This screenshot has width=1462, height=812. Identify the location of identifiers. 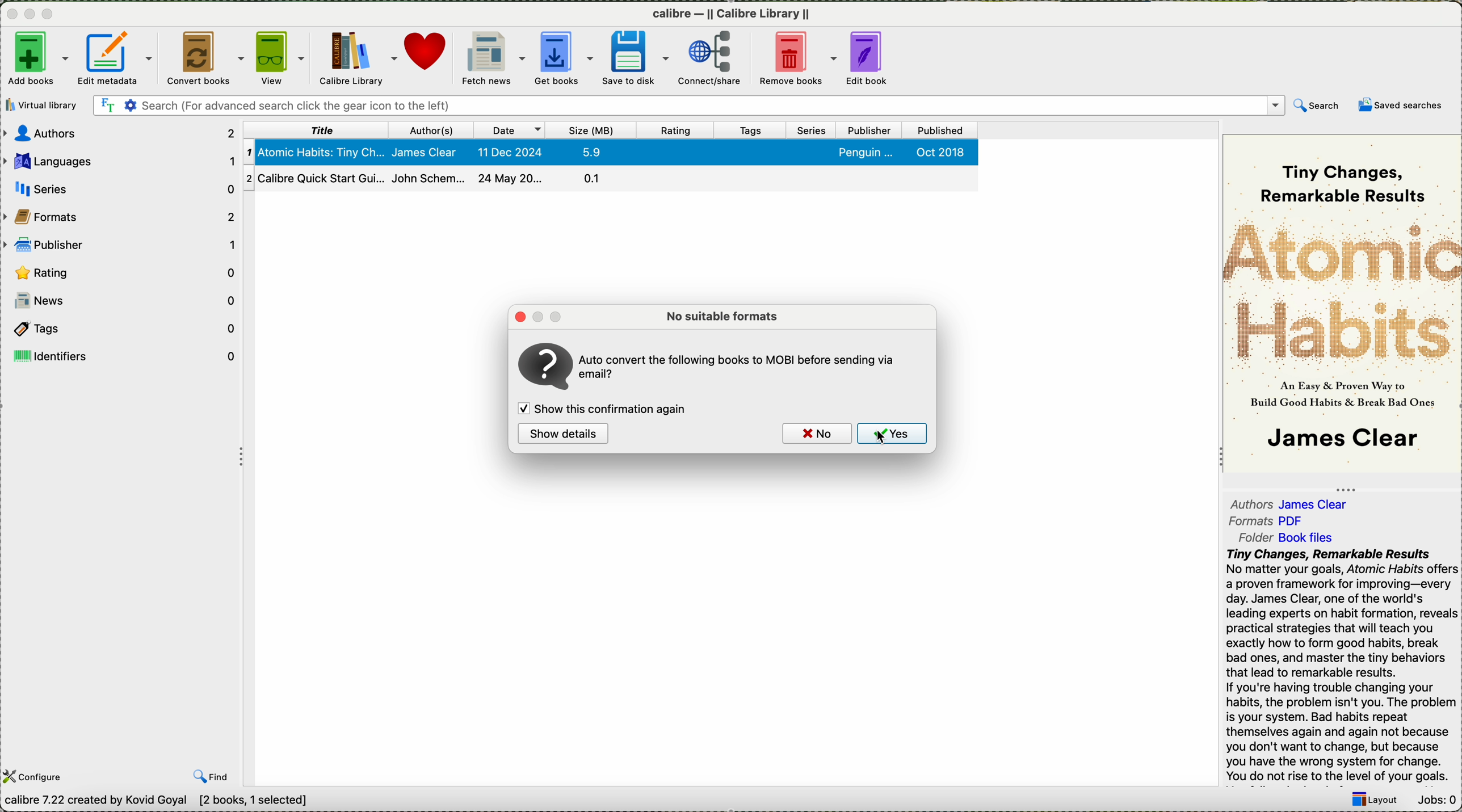
(121, 356).